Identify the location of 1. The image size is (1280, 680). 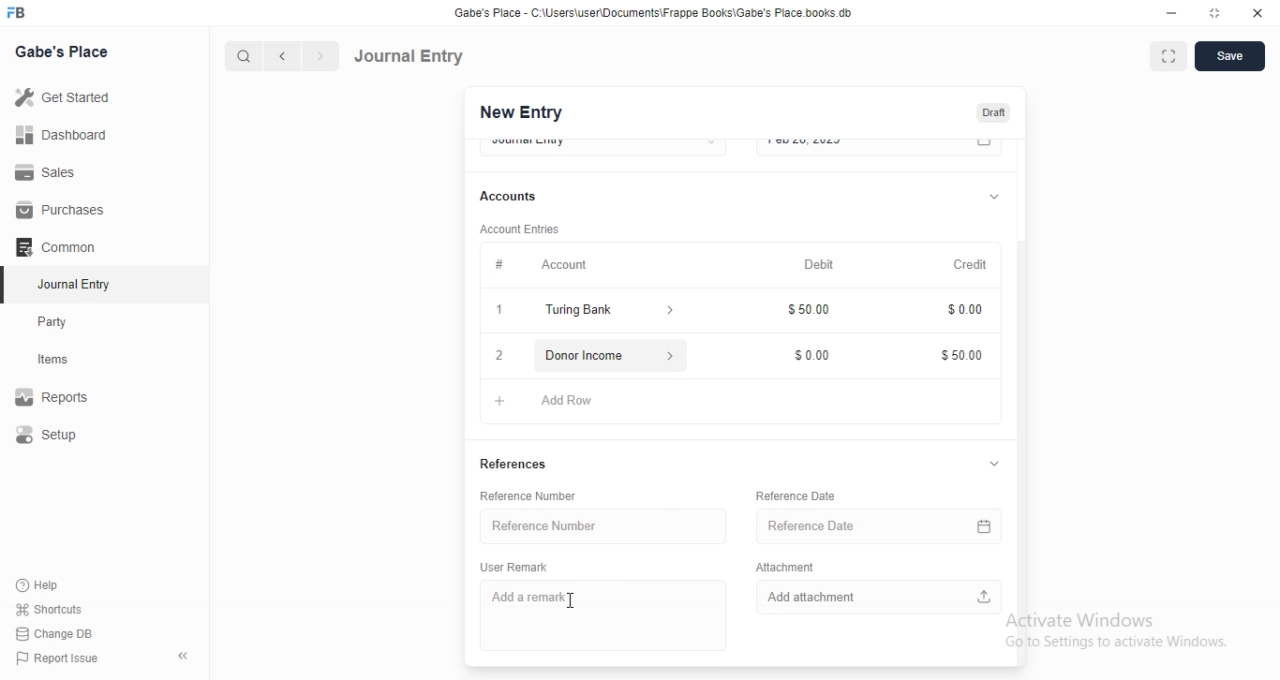
(502, 312).